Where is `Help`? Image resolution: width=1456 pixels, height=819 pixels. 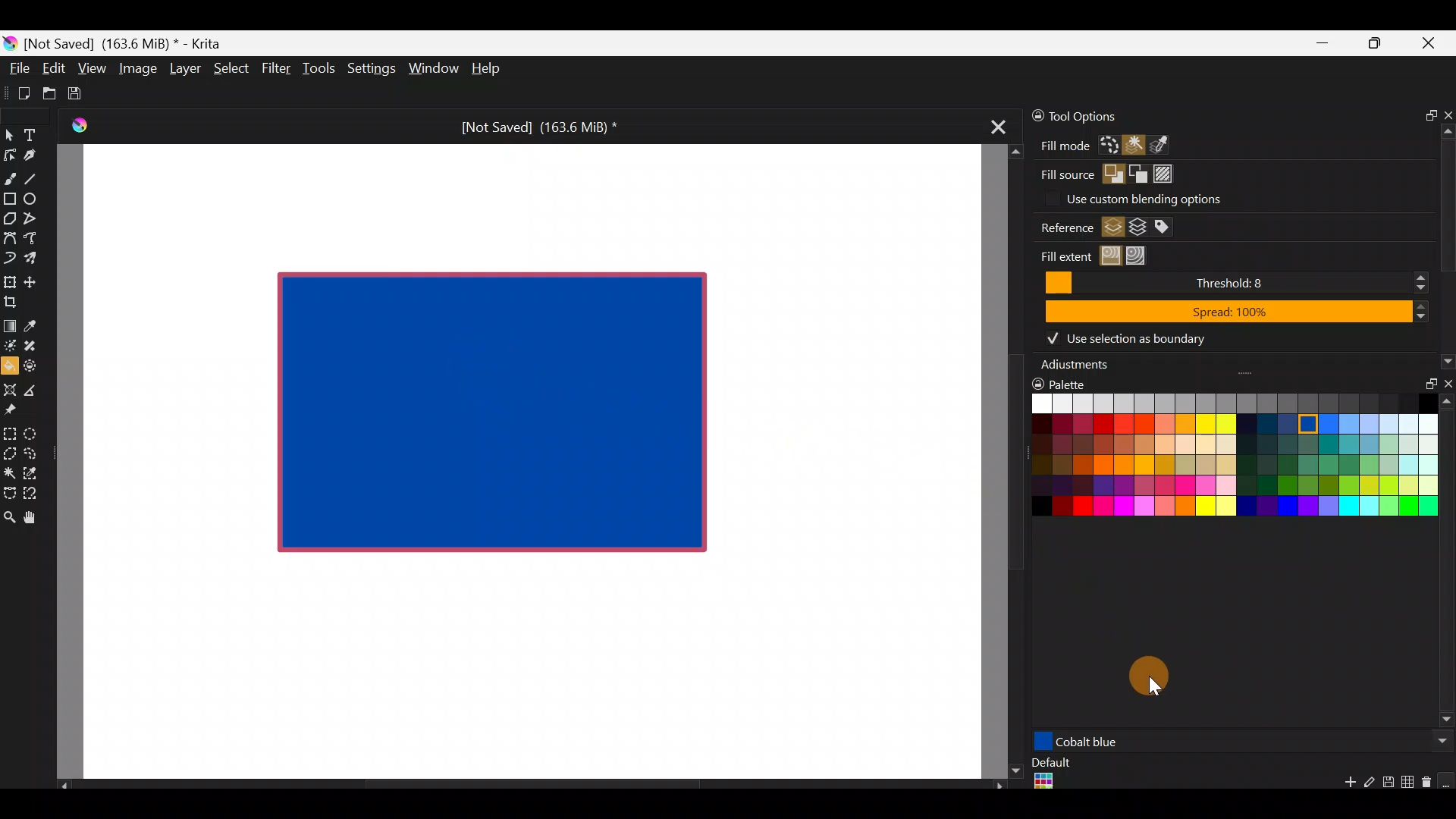 Help is located at coordinates (489, 70).